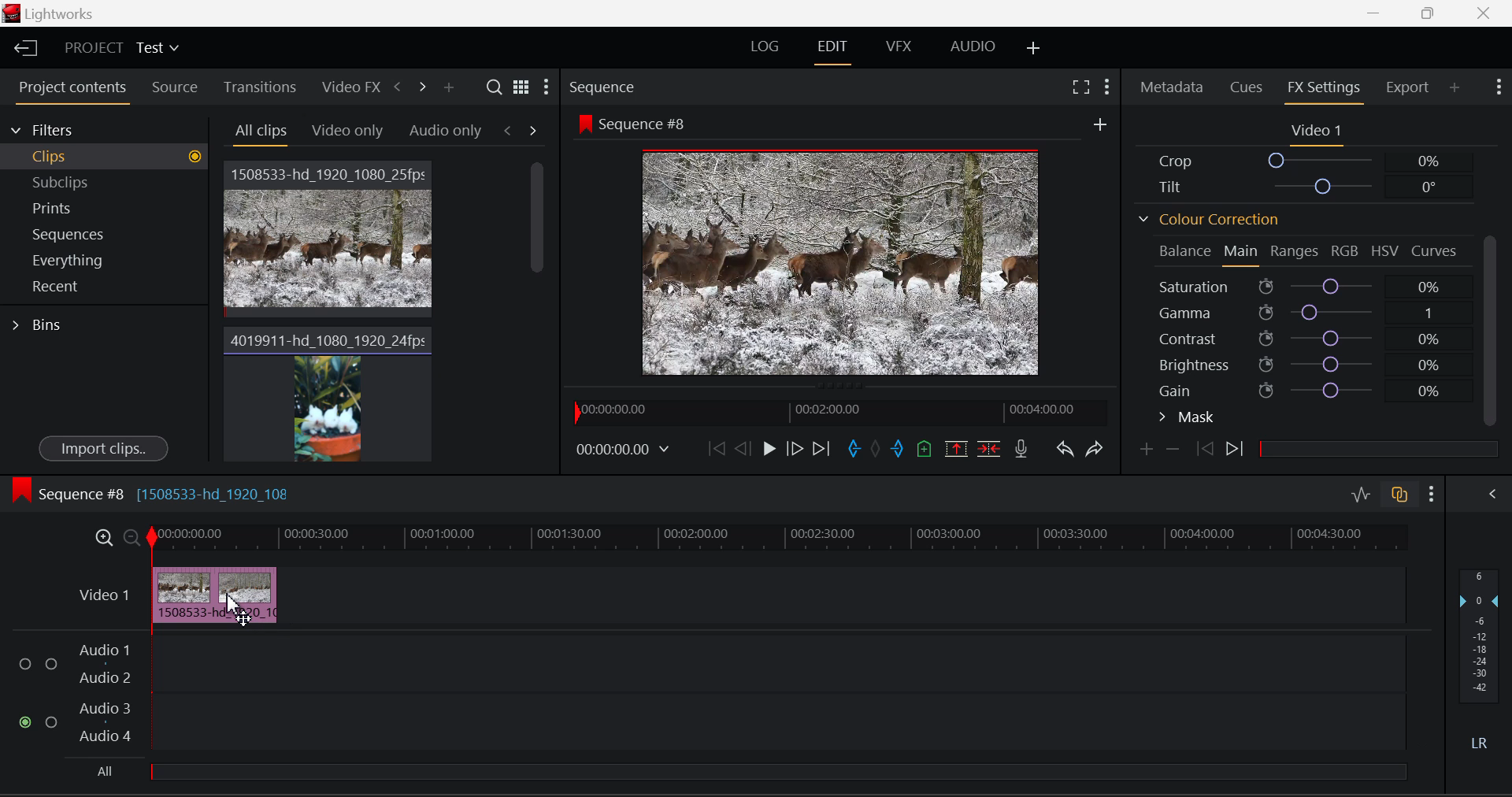 This screenshot has height=797, width=1512. Describe the element at coordinates (104, 539) in the screenshot. I see `Maximize` at that location.